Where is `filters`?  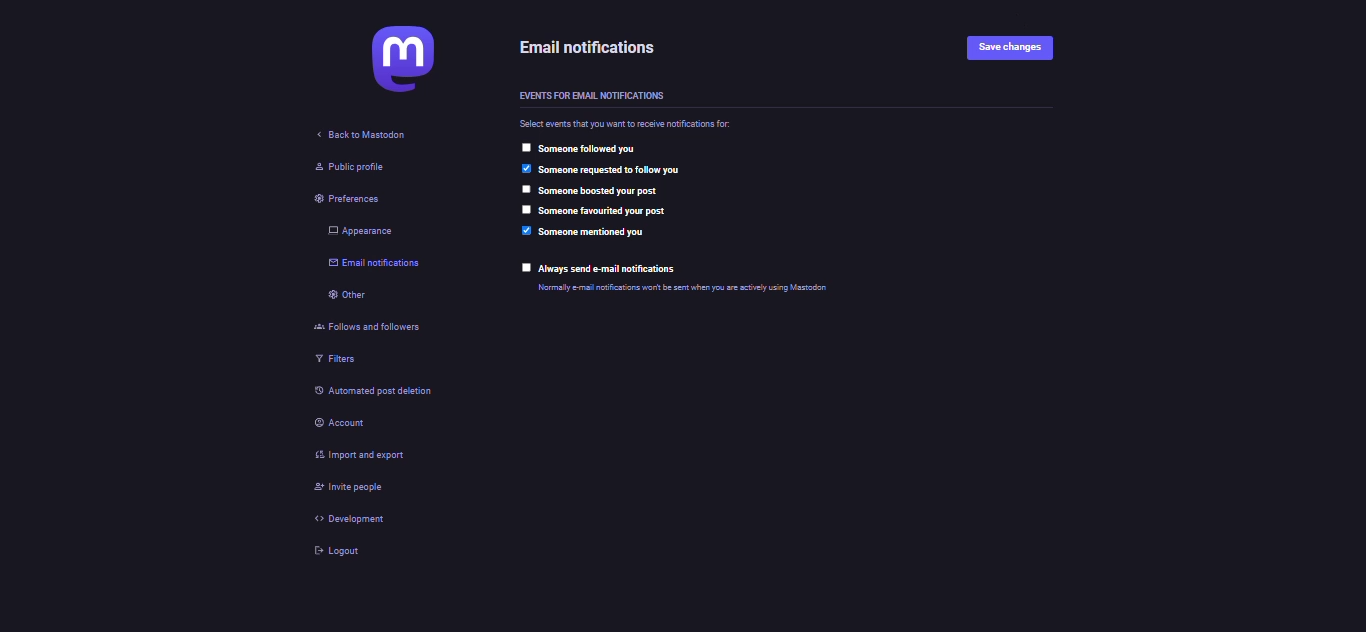 filters is located at coordinates (332, 358).